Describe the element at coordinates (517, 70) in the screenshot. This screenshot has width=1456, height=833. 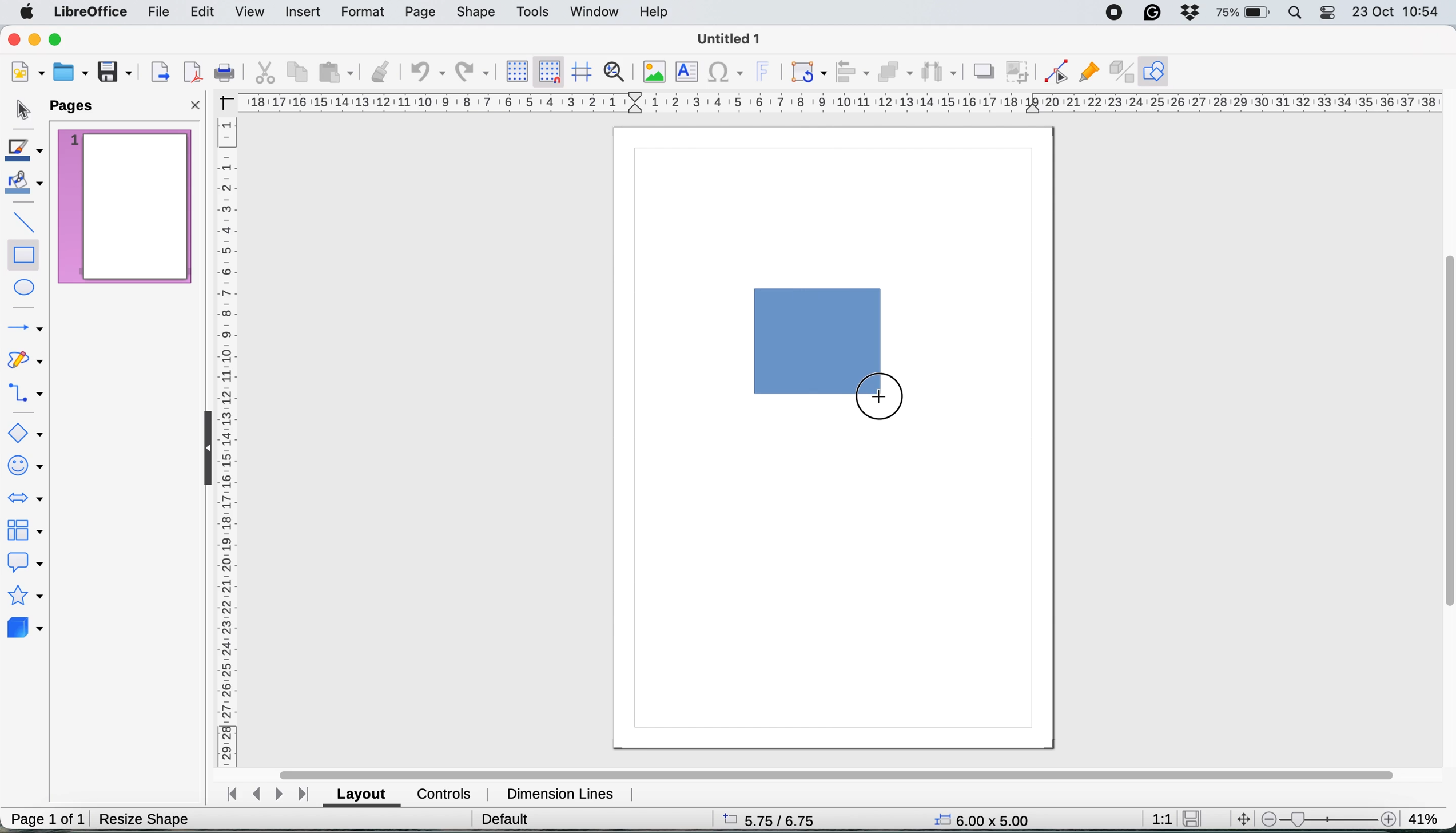
I see `display grid` at that location.